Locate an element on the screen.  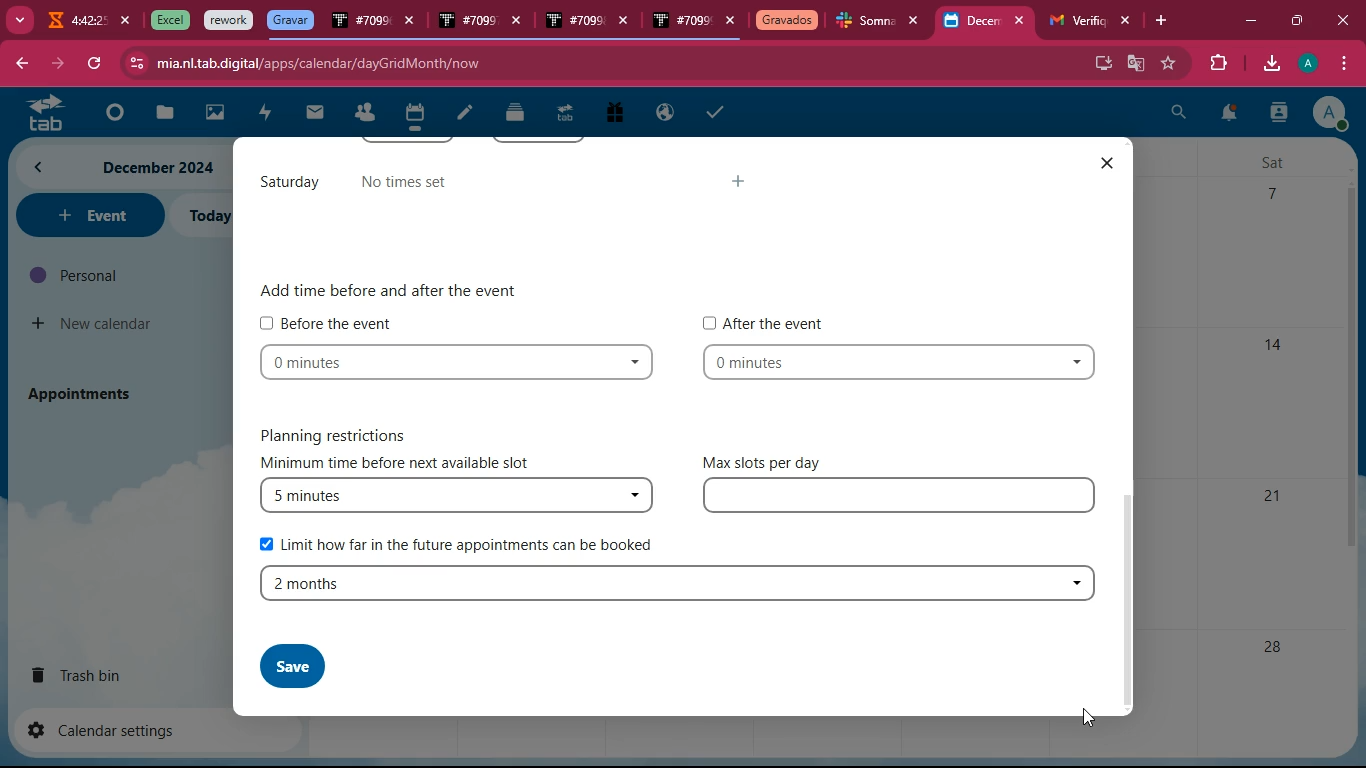
calendar is located at coordinates (414, 116).